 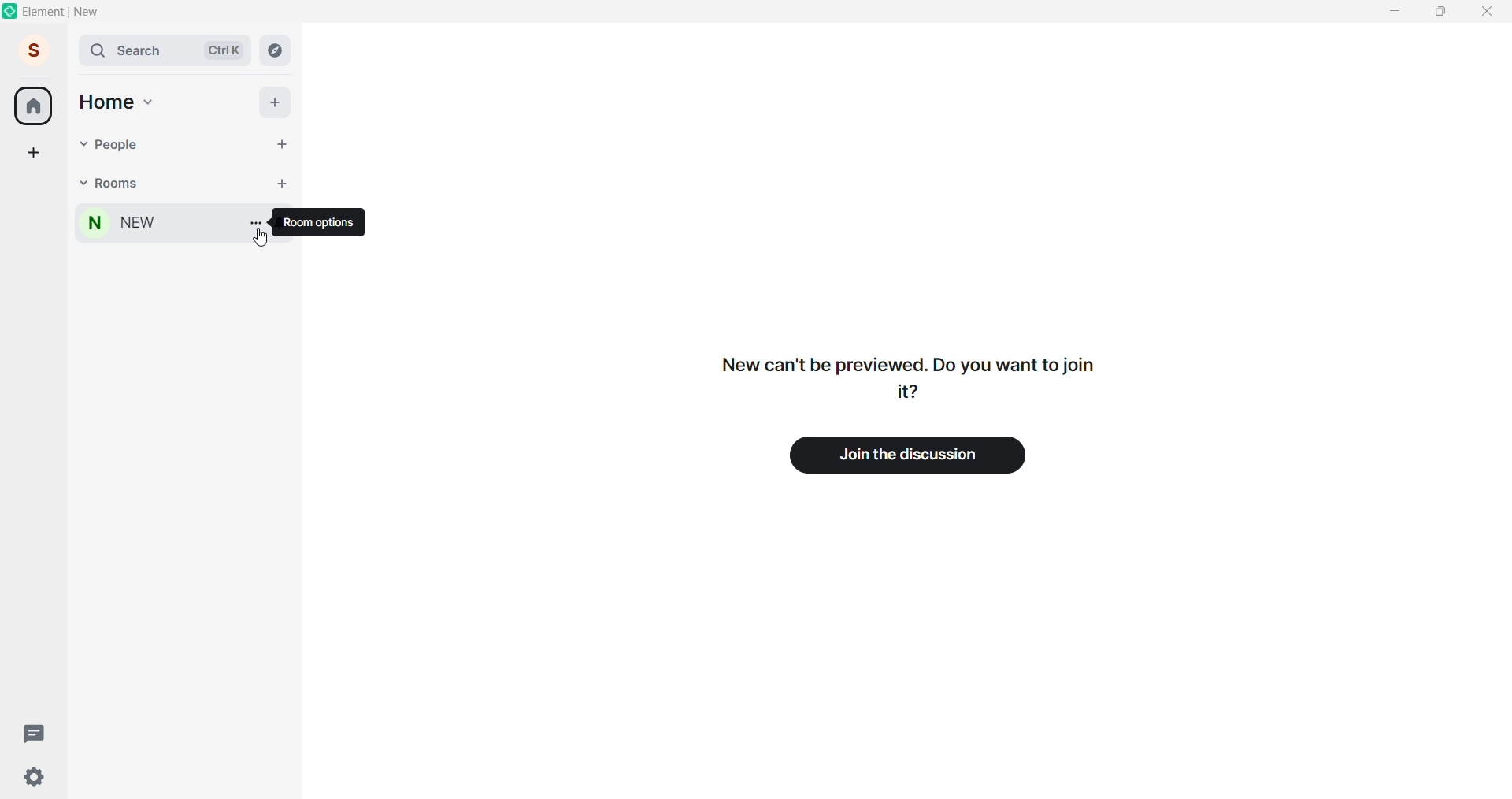 What do you see at coordinates (259, 237) in the screenshot?
I see `cursor` at bounding box center [259, 237].